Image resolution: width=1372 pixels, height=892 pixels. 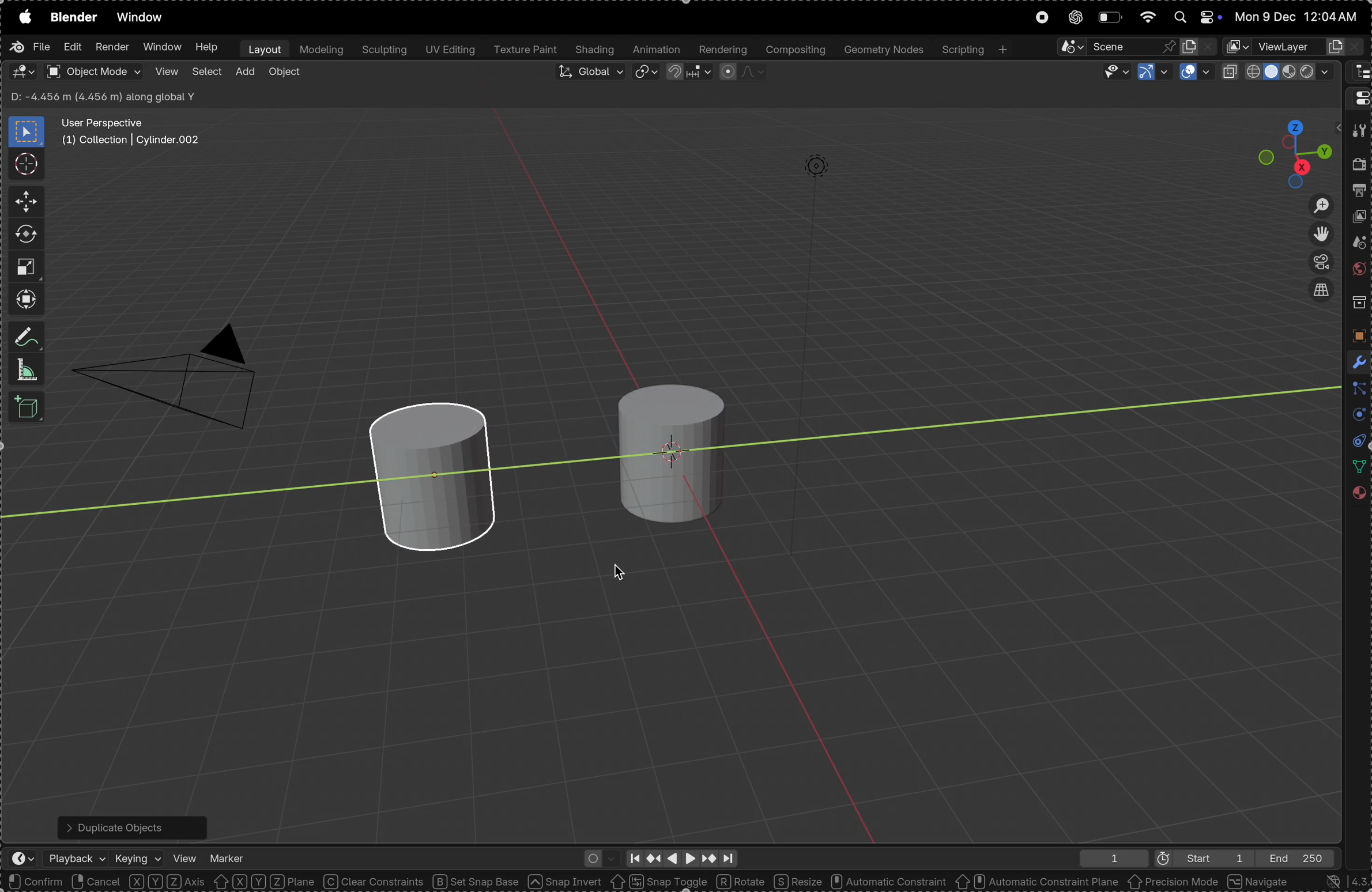 What do you see at coordinates (1041, 18) in the screenshot?
I see `record` at bounding box center [1041, 18].